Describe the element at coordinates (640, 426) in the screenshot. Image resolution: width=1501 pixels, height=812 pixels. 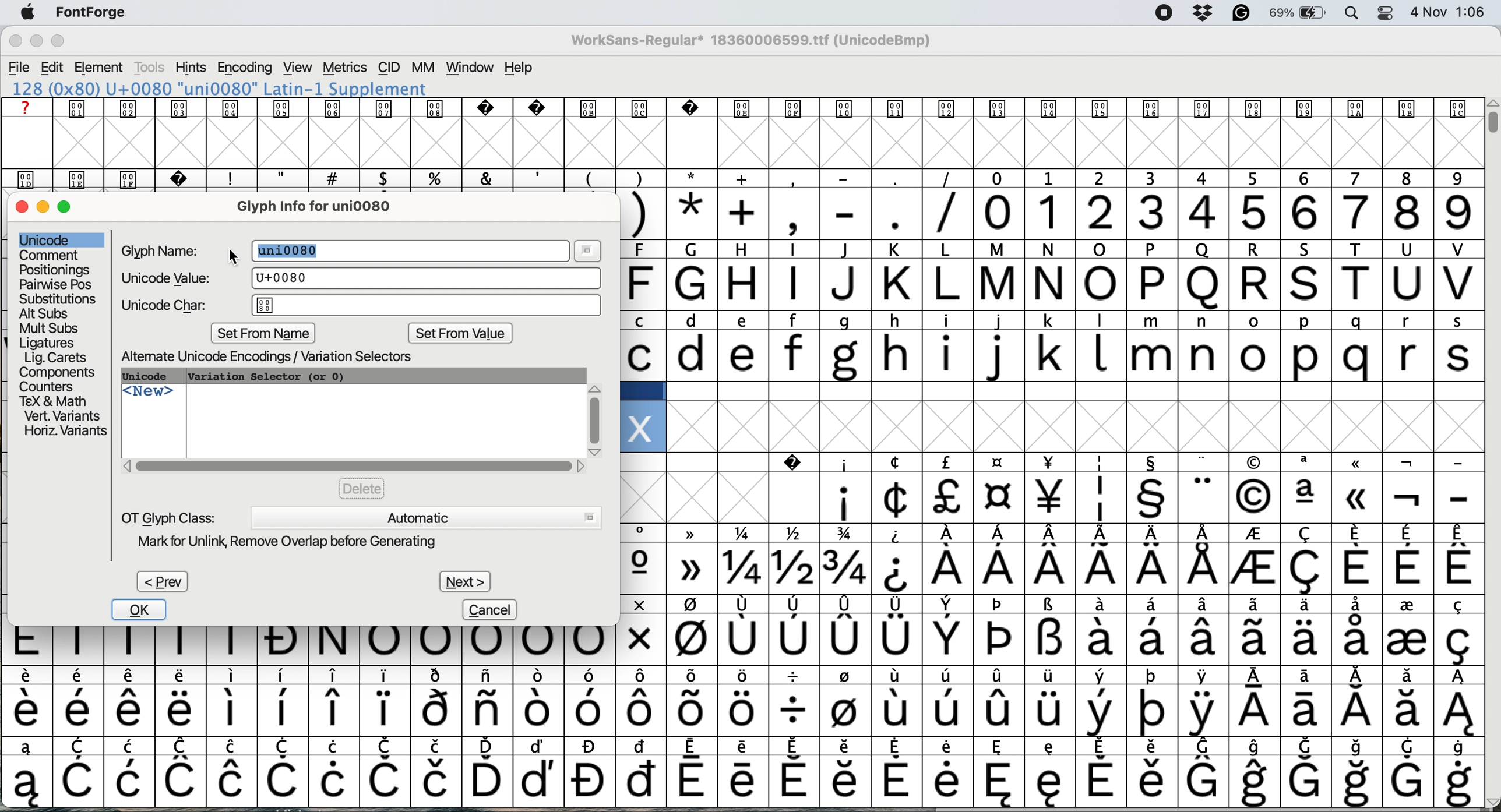
I see `glyph added` at that location.